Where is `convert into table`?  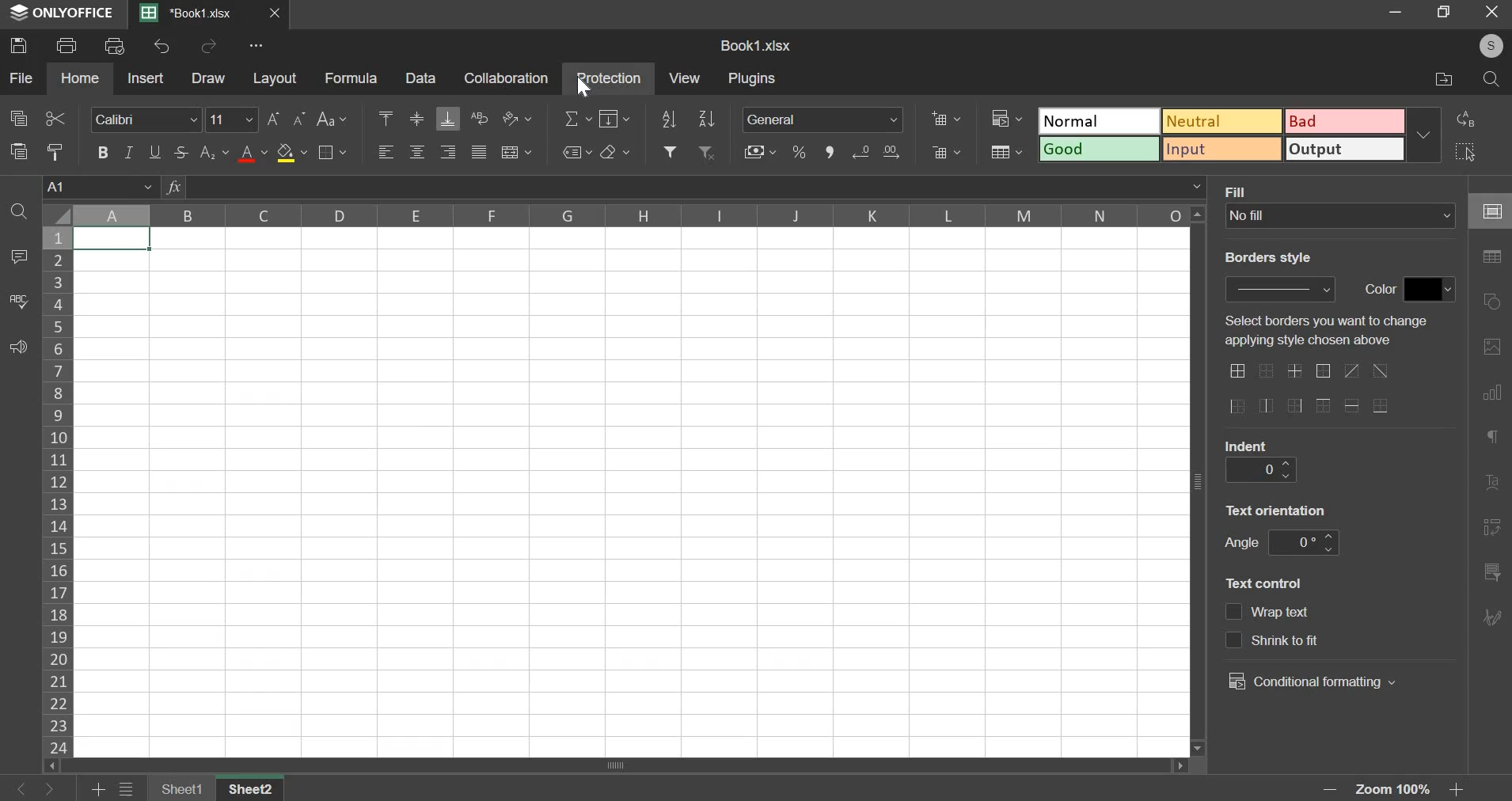 convert into table is located at coordinates (1009, 152).